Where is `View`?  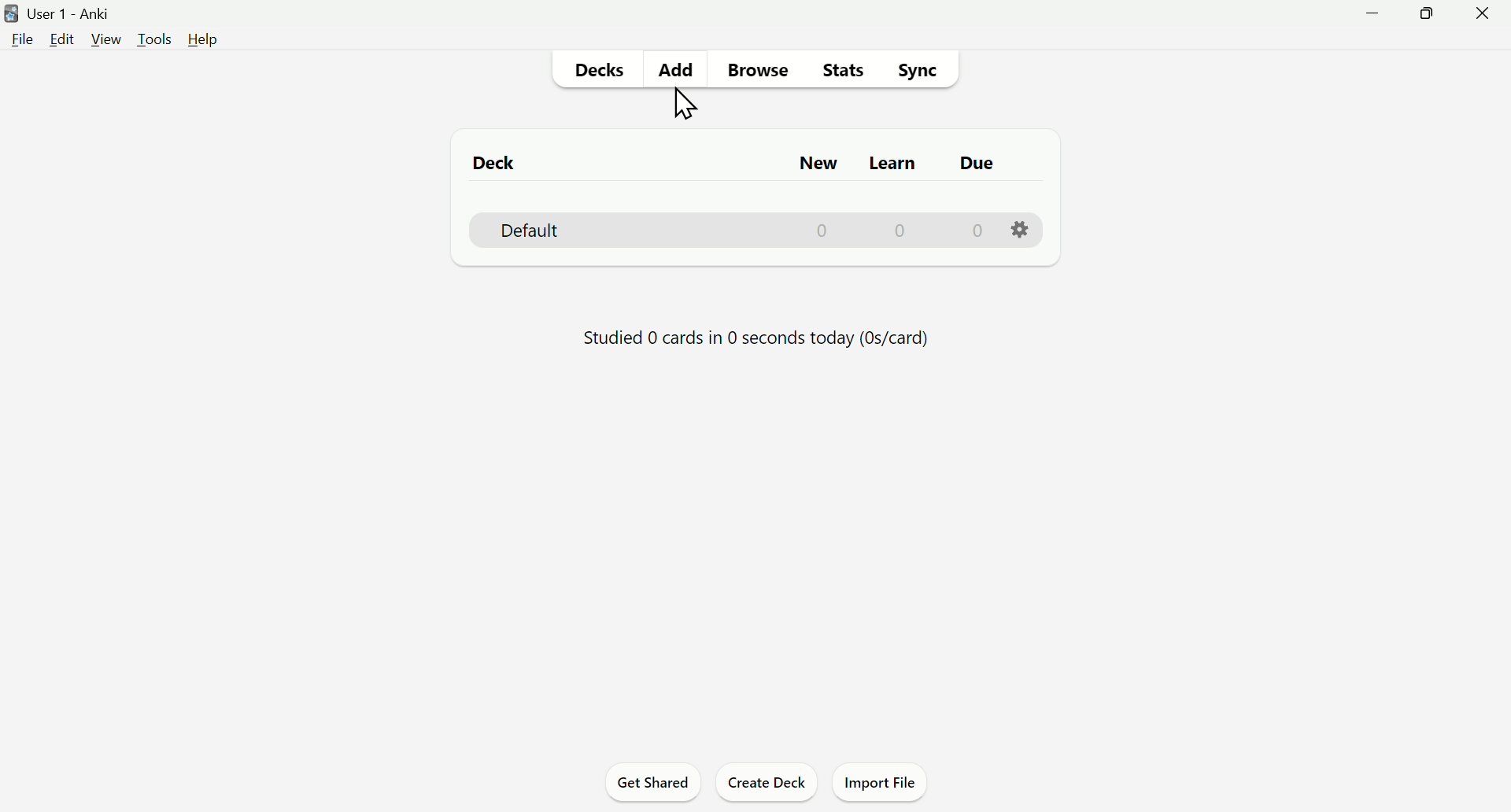
View is located at coordinates (106, 39).